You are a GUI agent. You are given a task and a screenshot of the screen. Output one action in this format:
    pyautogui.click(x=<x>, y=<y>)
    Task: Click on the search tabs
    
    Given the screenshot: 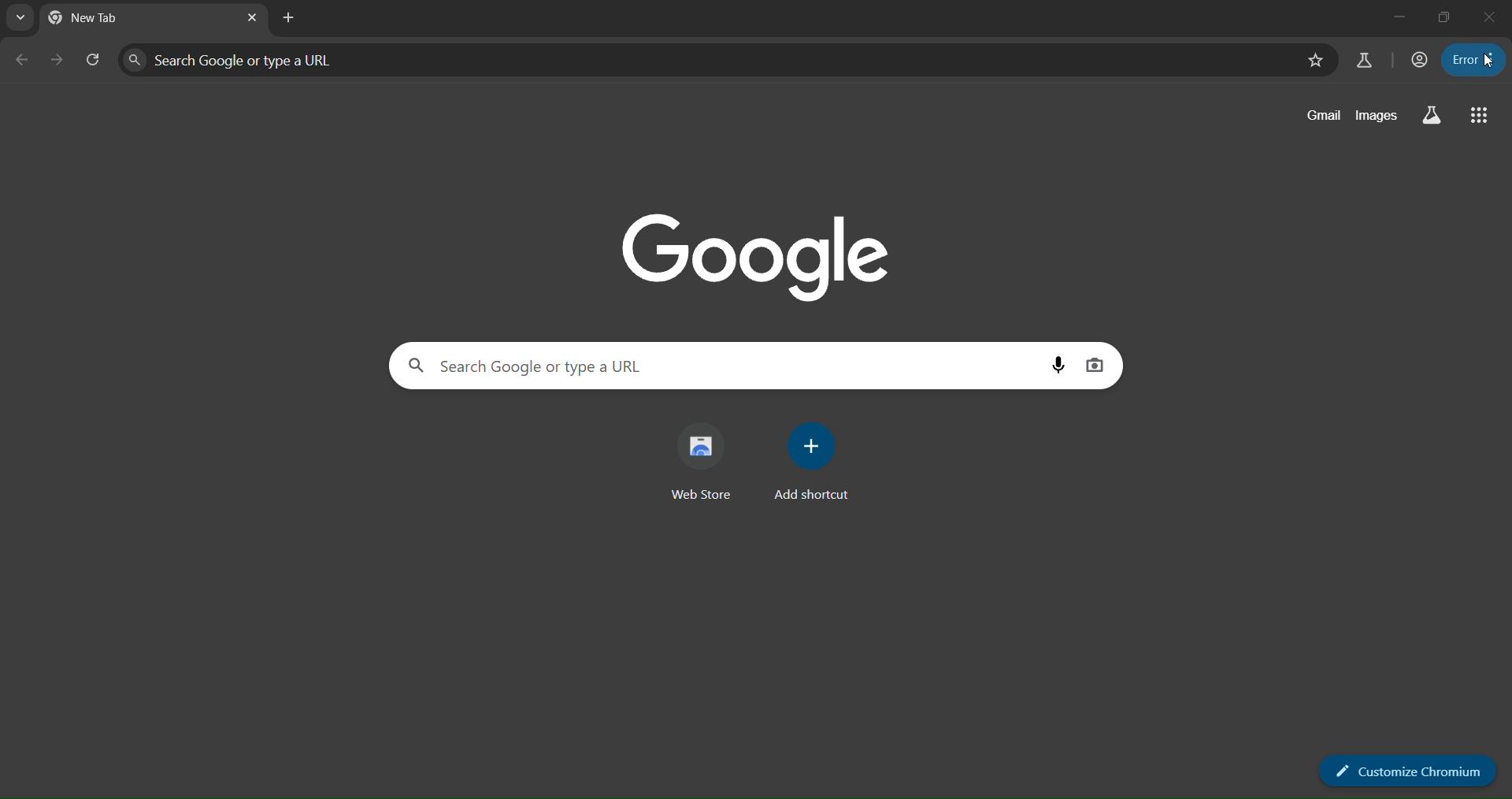 What is the action you would take?
    pyautogui.click(x=20, y=17)
    